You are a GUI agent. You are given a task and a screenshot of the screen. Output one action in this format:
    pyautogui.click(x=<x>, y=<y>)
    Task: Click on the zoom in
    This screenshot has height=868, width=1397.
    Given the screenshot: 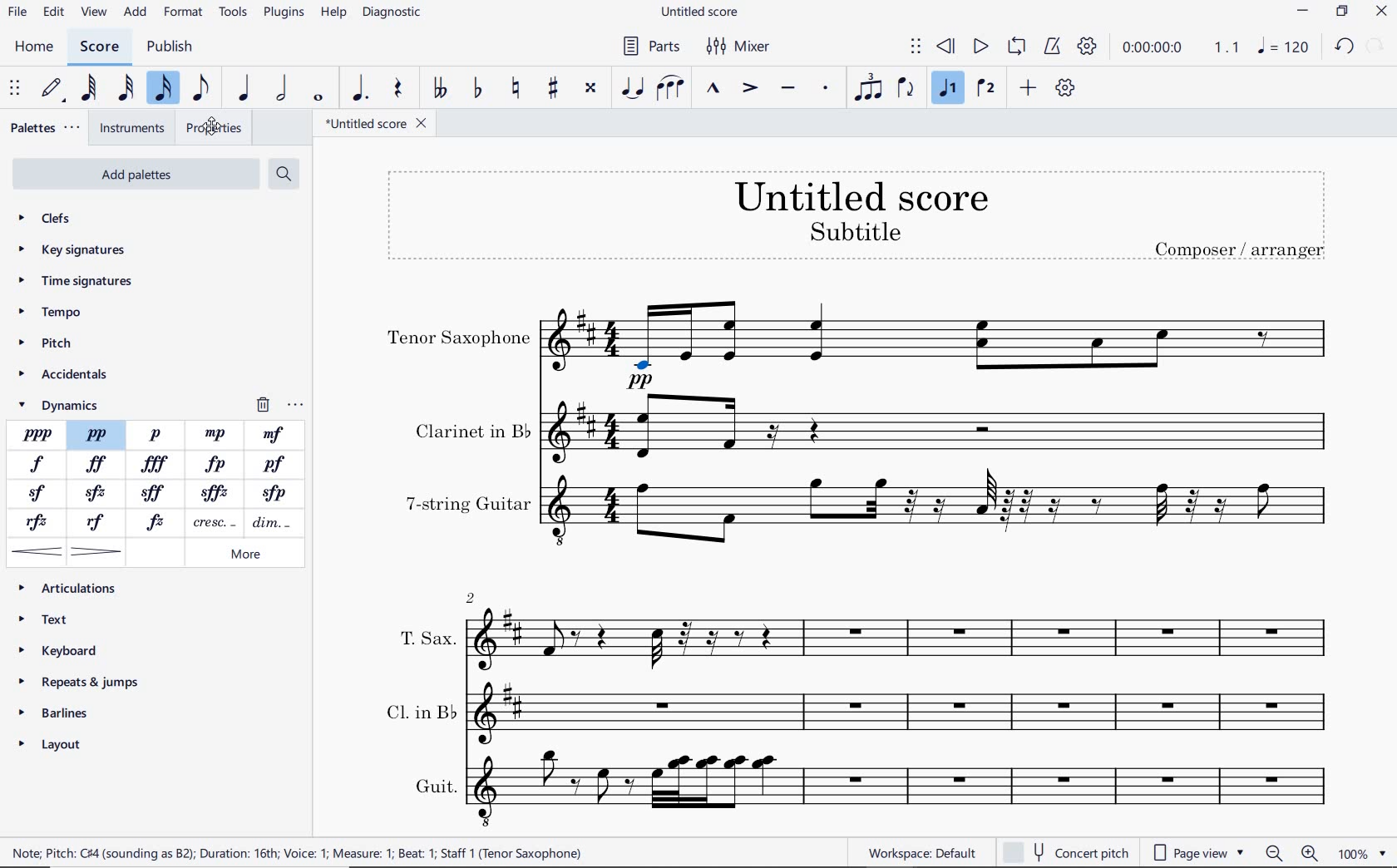 What is the action you would take?
    pyautogui.click(x=1313, y=852)
    